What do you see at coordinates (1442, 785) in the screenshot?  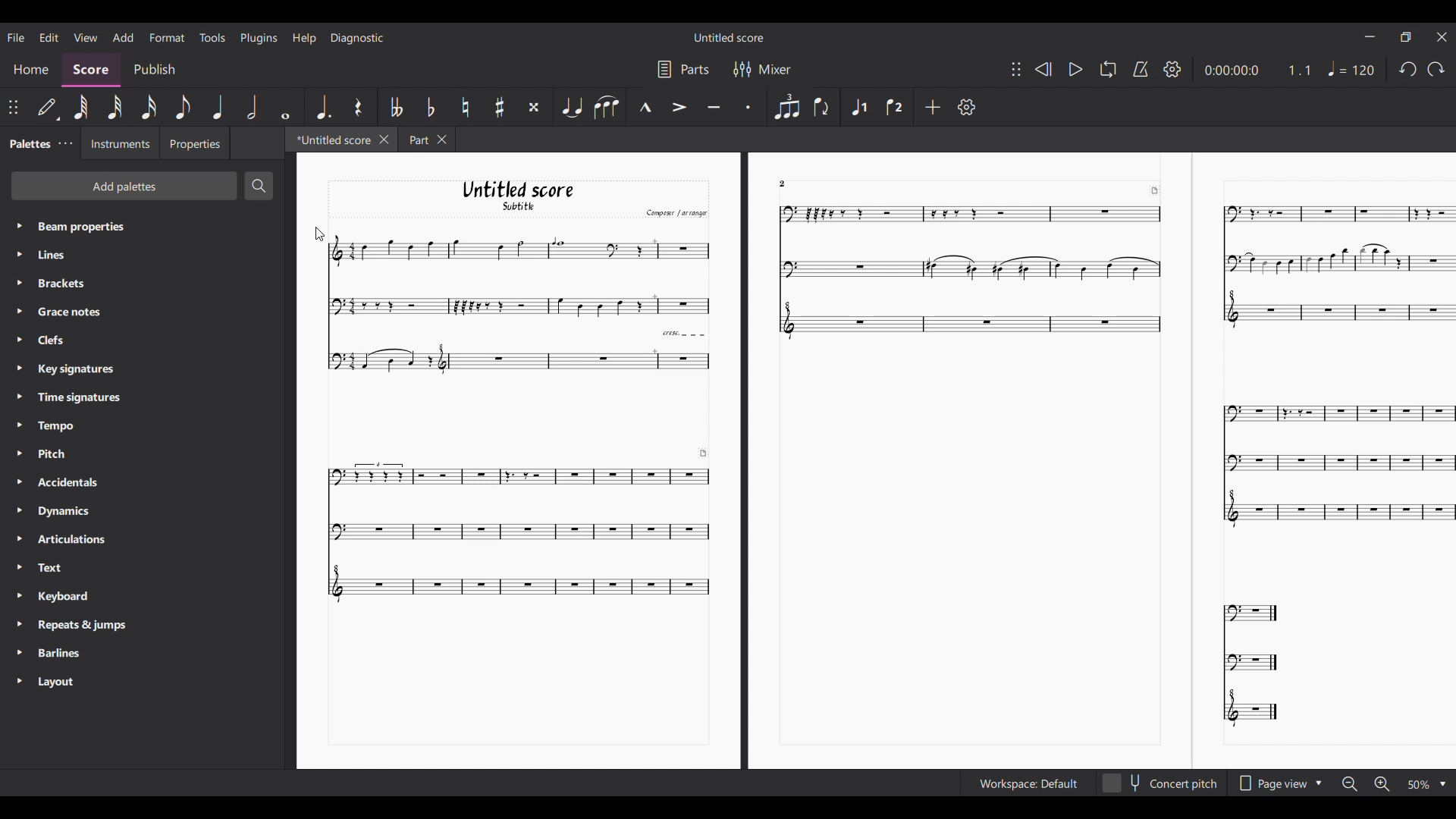 I see `Drop down` at bounding box center [1442, 785].